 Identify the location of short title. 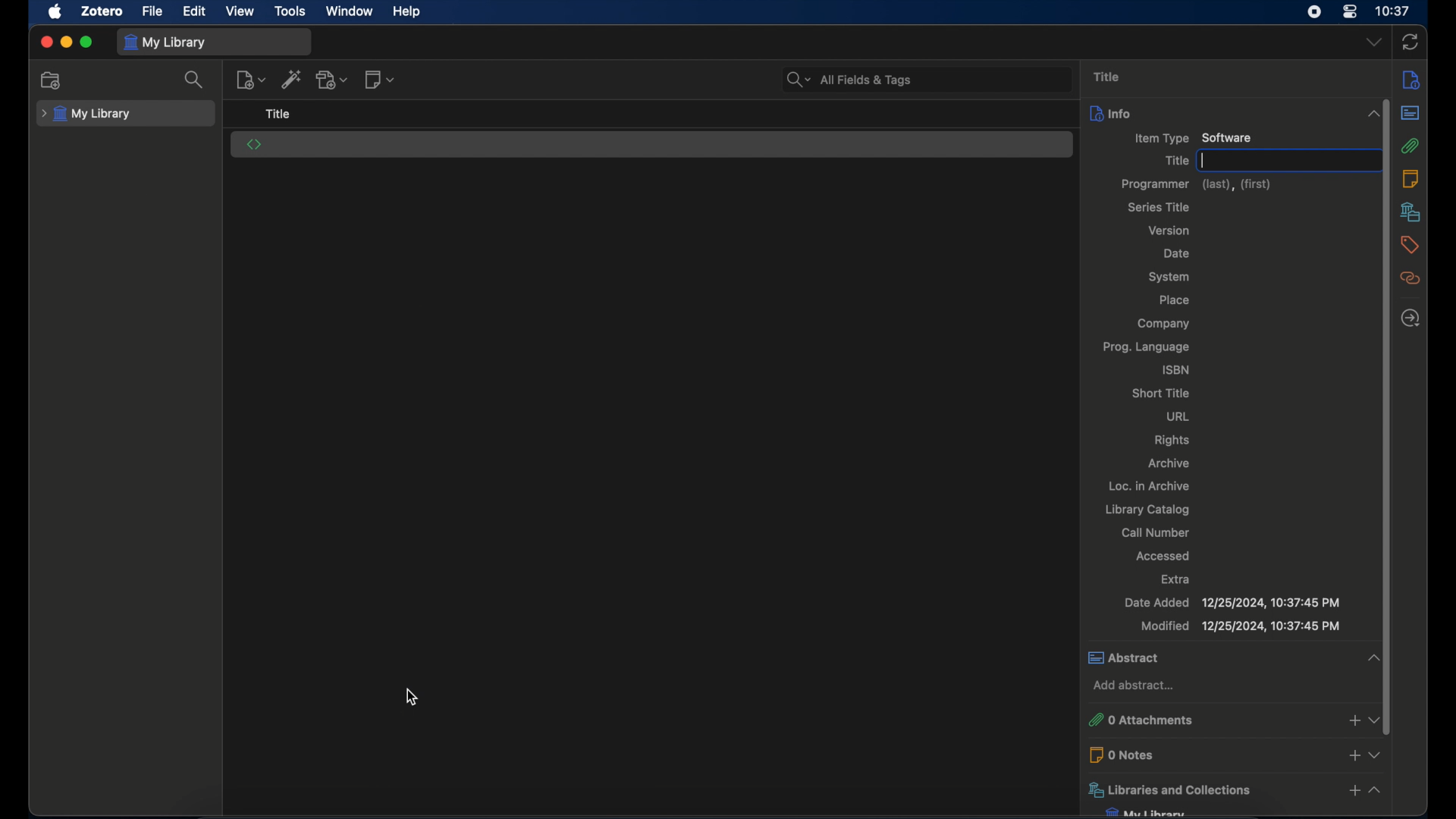
(1162, 394).